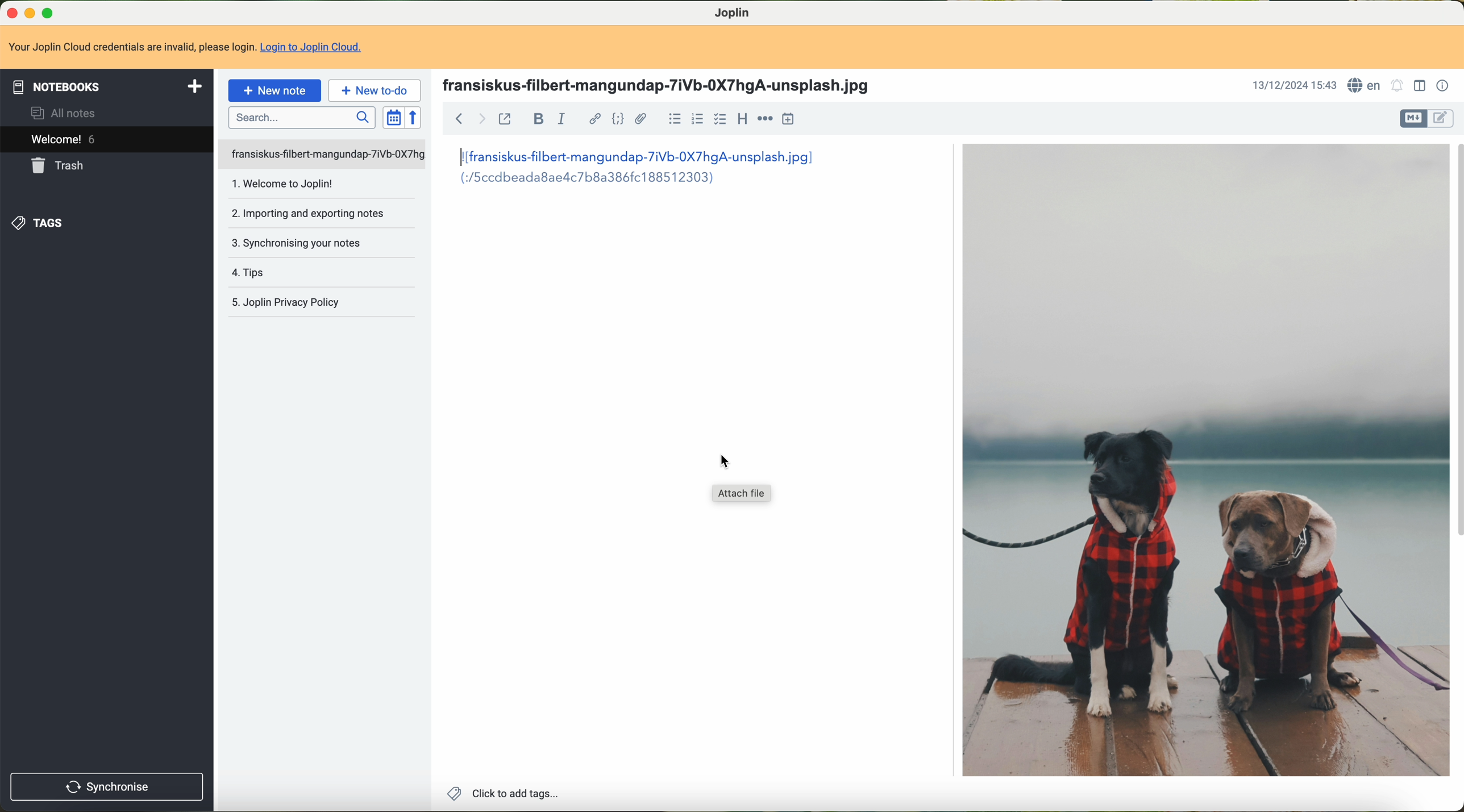 The height and width of the screenshot is (812, 1464). I want to click on reverse sort order, so click(414, 118).